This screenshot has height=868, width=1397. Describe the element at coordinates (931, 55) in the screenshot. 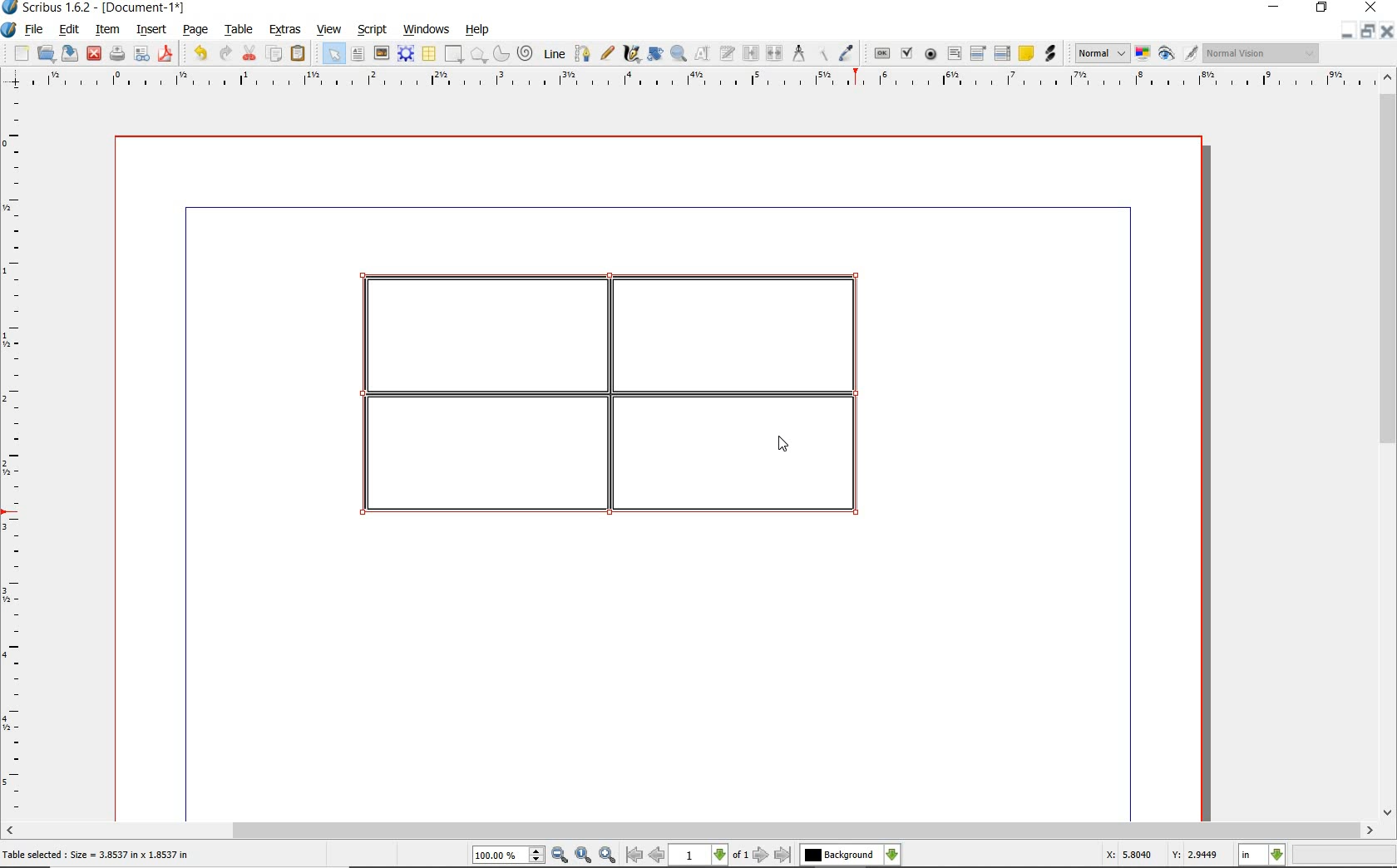

I see `pdf radio box` at that location.